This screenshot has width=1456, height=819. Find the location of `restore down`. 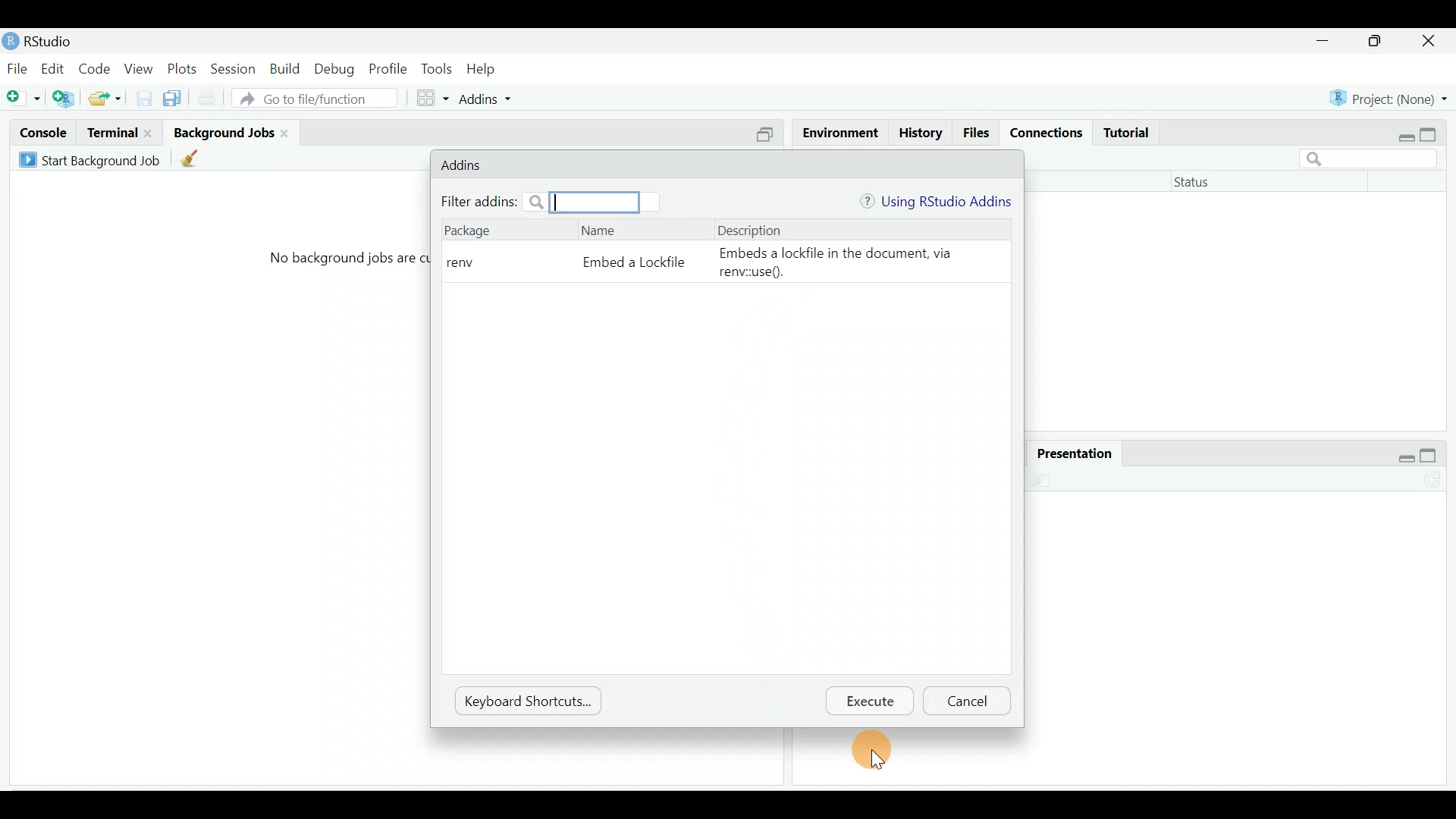

restore down is located at coordinates (1406, 451).